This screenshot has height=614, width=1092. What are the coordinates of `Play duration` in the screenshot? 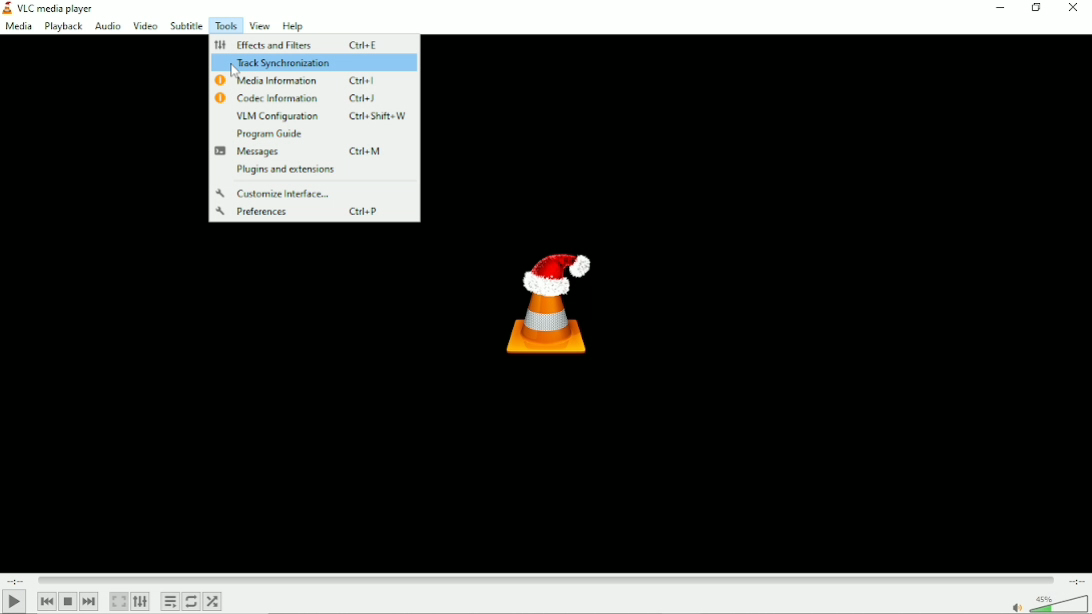 It's located at (548, 580).